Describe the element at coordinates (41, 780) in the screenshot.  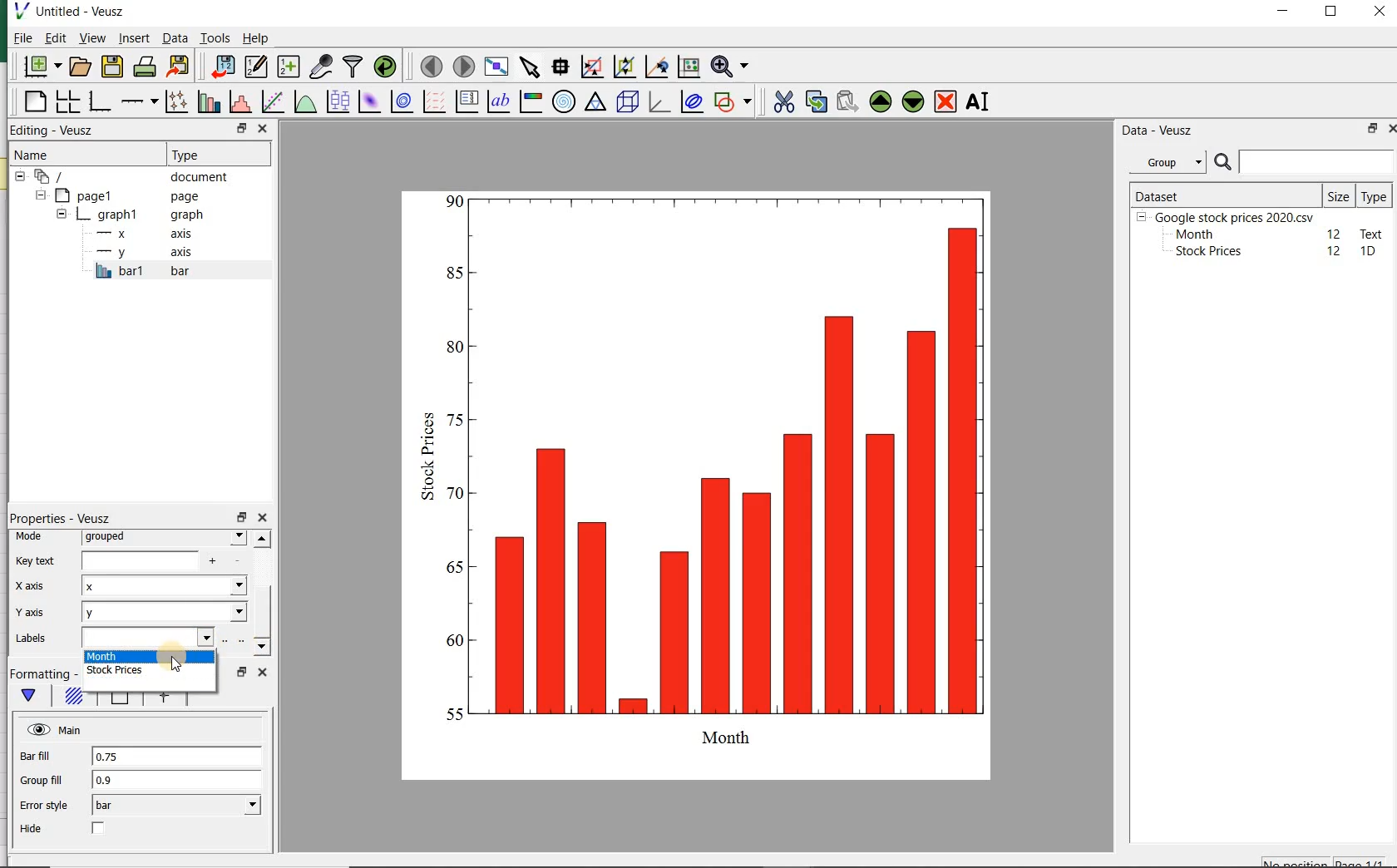
I see `Group fill` at that location.